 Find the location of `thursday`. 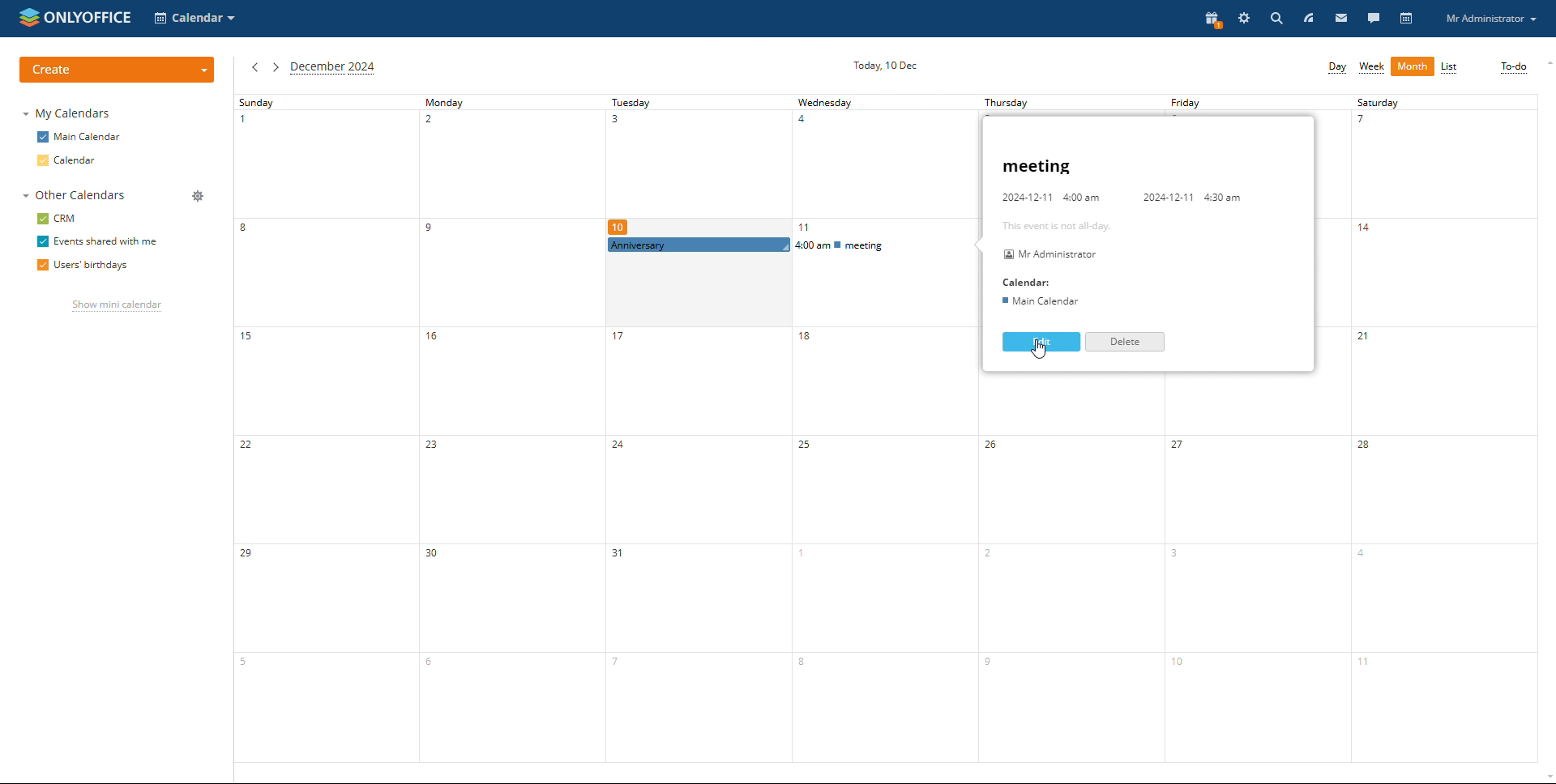

thursday is located at coordinates (1064, 104).